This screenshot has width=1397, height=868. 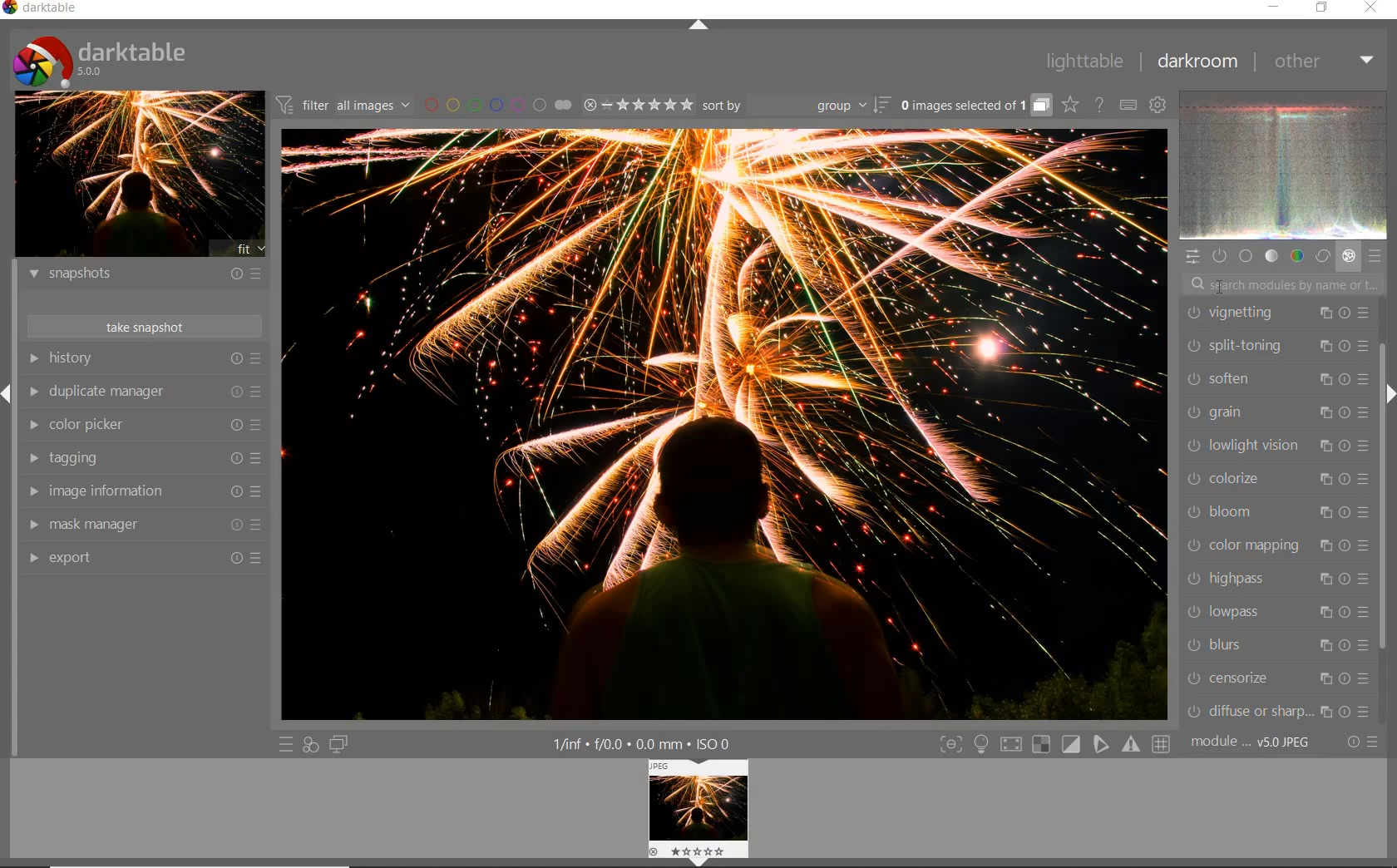 What do you see at coordinates (1247, 257) in the screenshot?
I see `base` at bounding box center [1247, 257].